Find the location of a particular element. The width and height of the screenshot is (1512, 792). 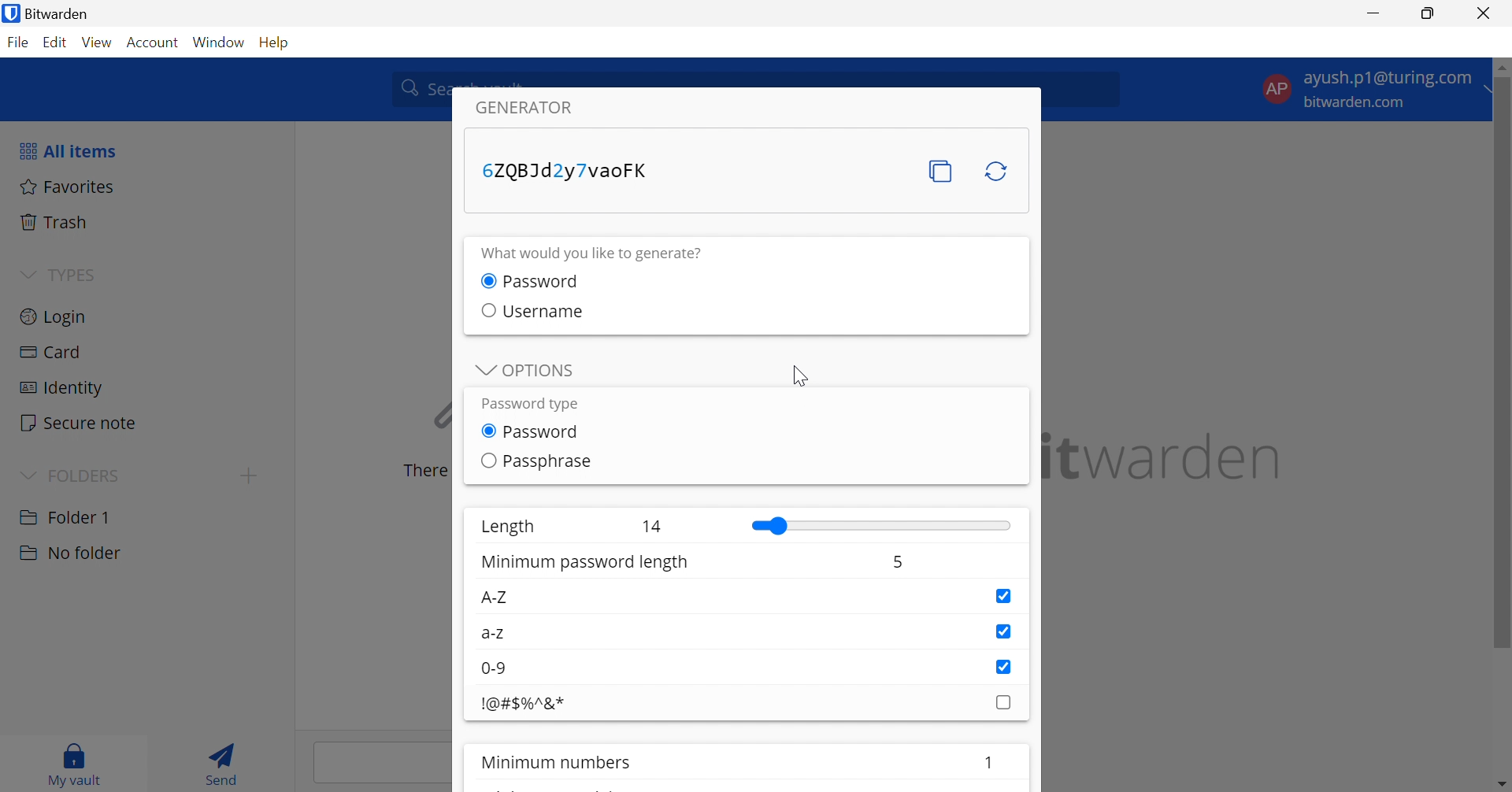

Checkbox is located at coordinates (486, 461).